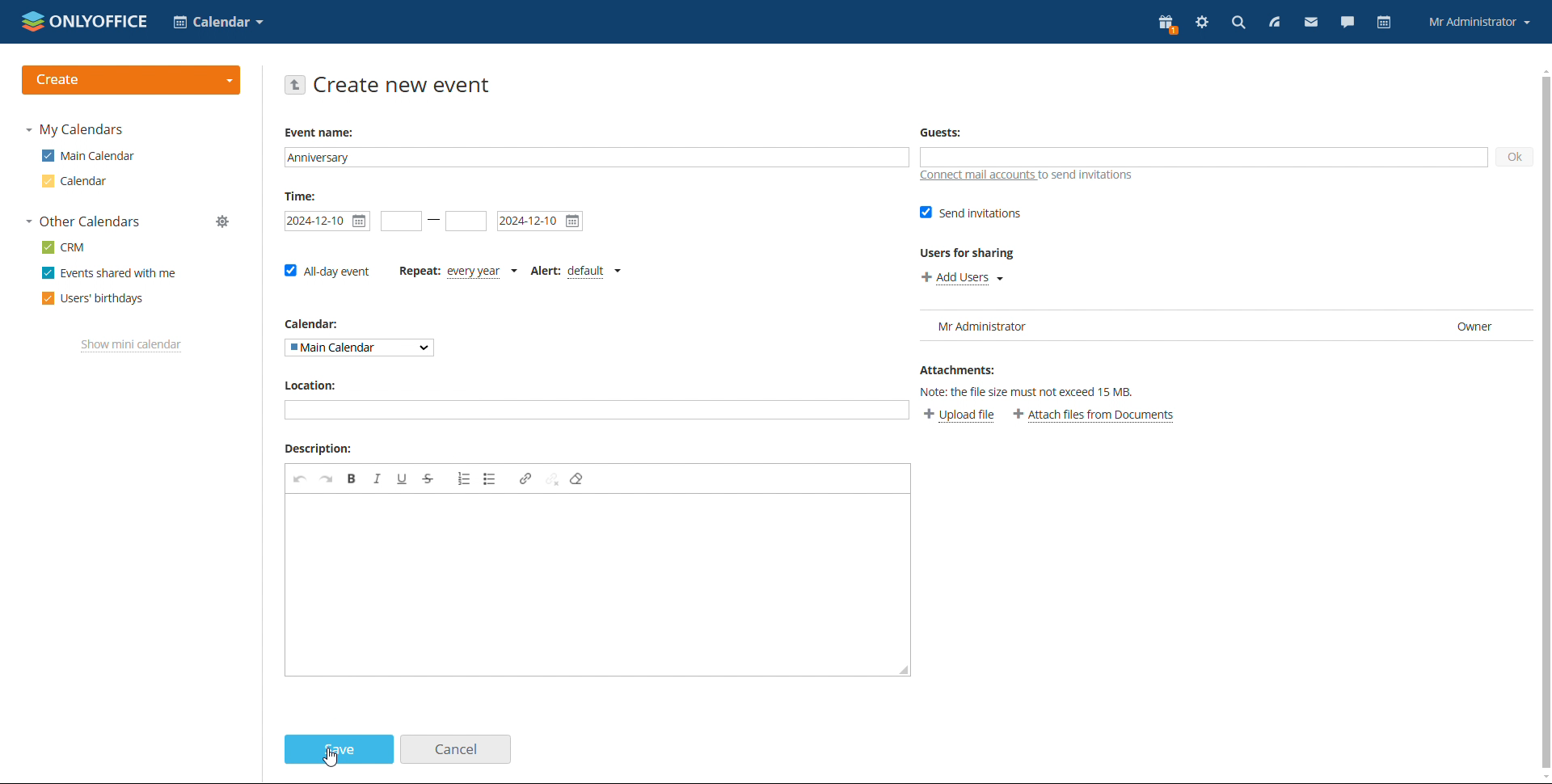  I want to click on present, so click(1166, 24).